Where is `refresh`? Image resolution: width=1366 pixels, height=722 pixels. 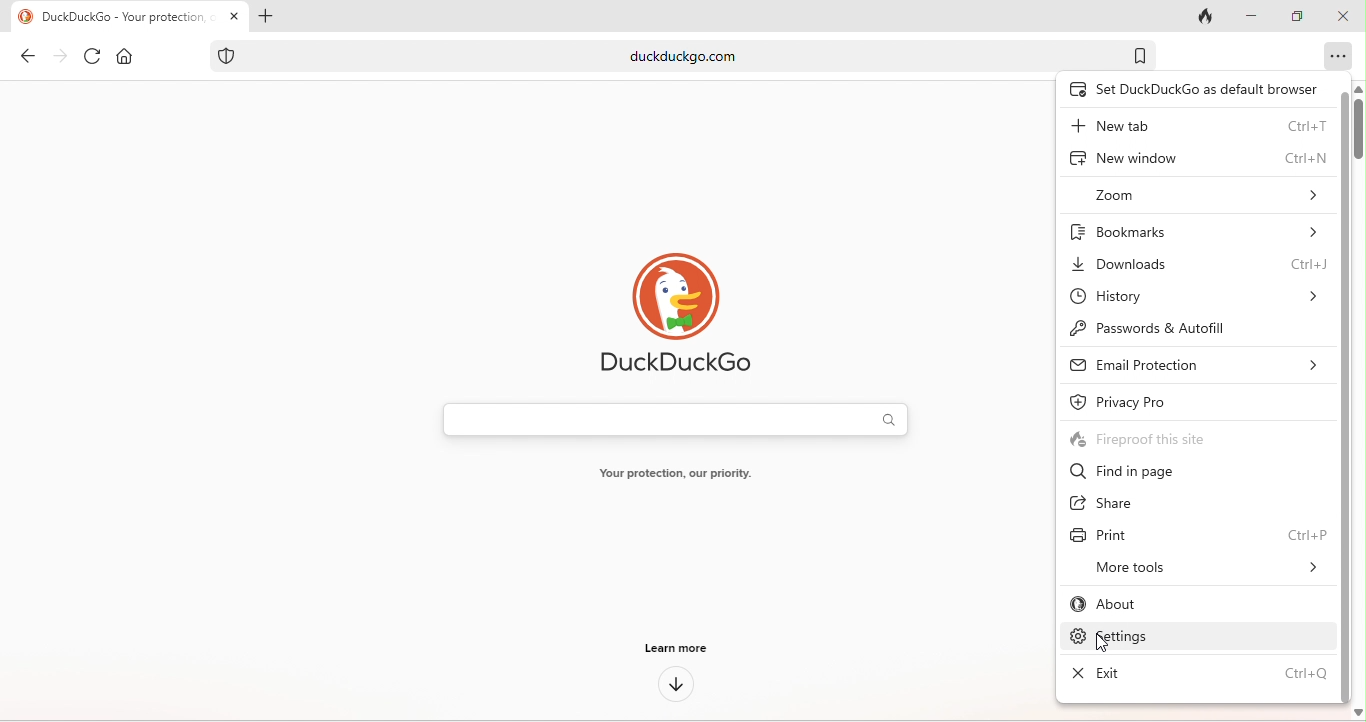
refresh is located at coordinates (93, 56).